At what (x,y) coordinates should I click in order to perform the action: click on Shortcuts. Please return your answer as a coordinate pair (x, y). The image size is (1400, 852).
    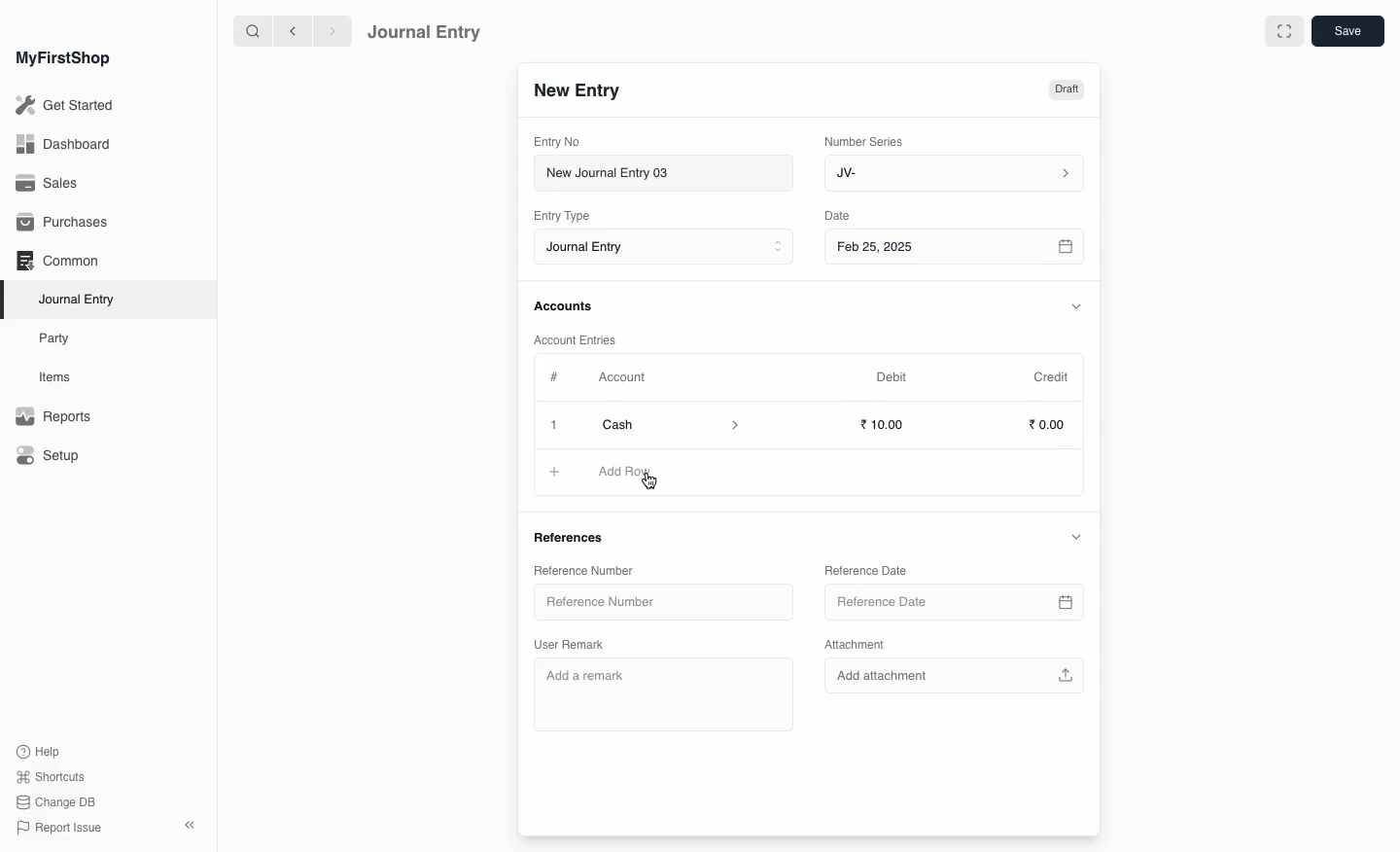
    Looking at the image, I should click on (48, 775).